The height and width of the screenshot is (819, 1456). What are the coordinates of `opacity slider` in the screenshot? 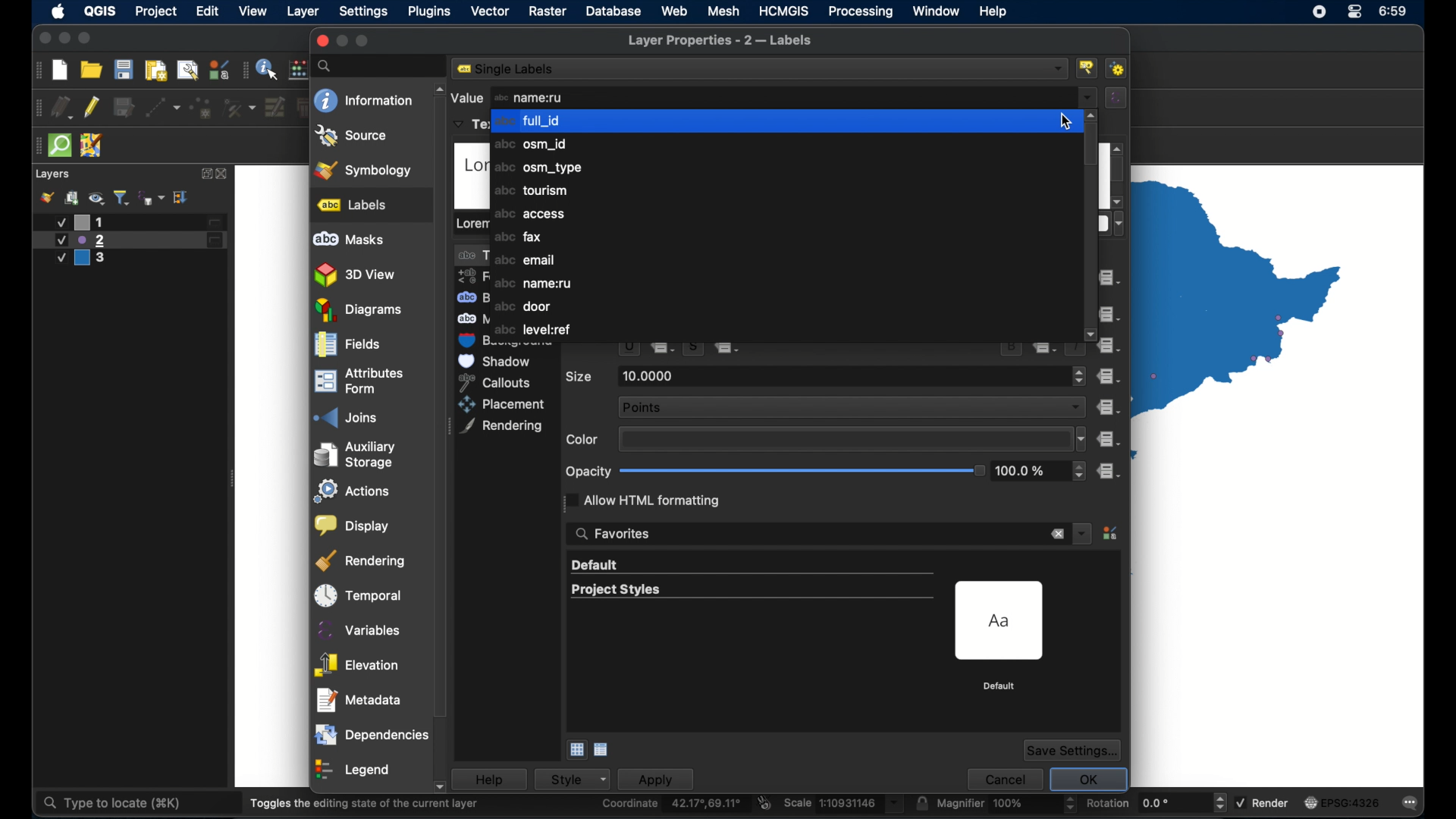 It's located at (802, 471).